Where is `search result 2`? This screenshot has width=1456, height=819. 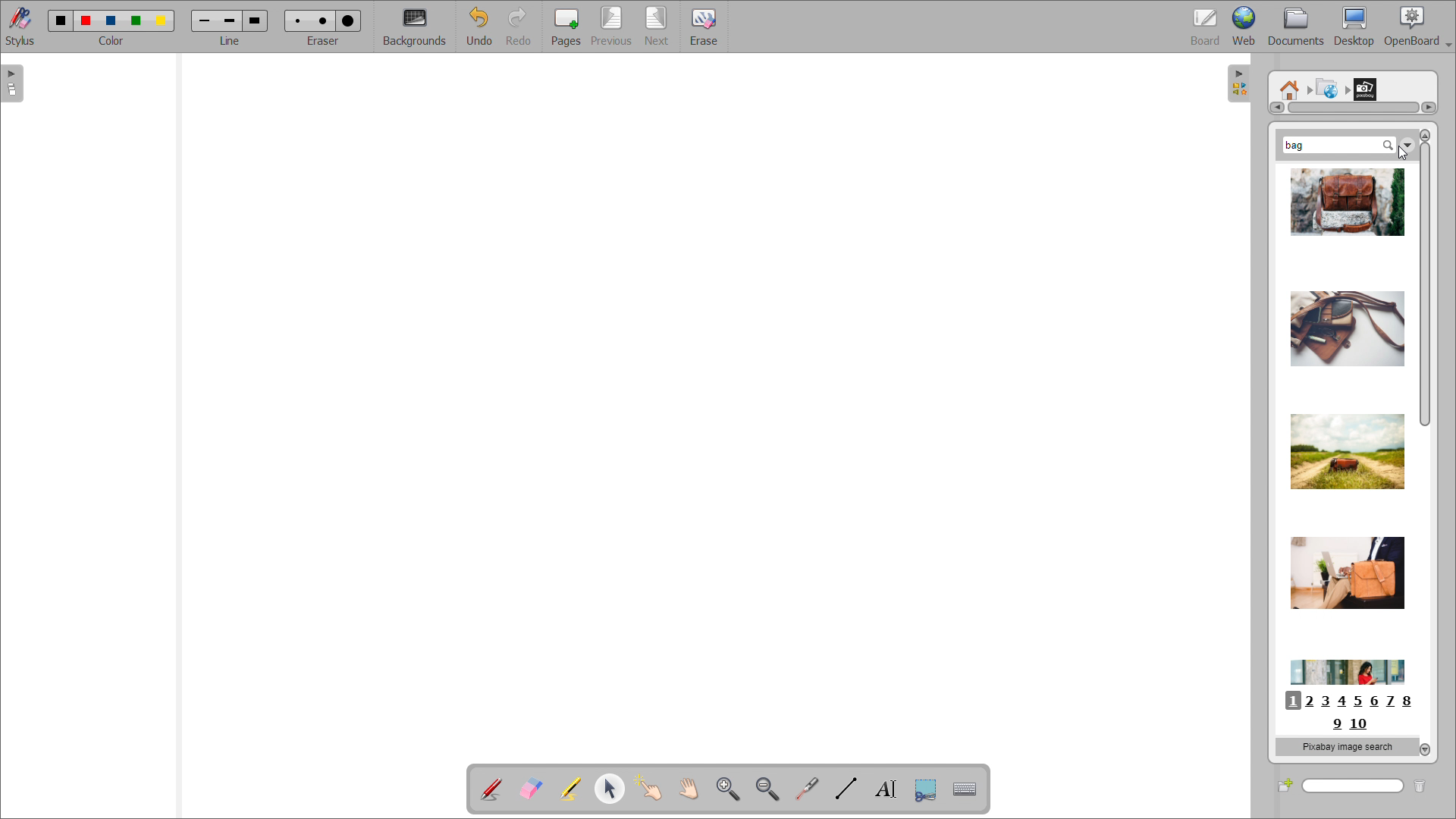
search result 2 is located at coordinates (1343, 321).